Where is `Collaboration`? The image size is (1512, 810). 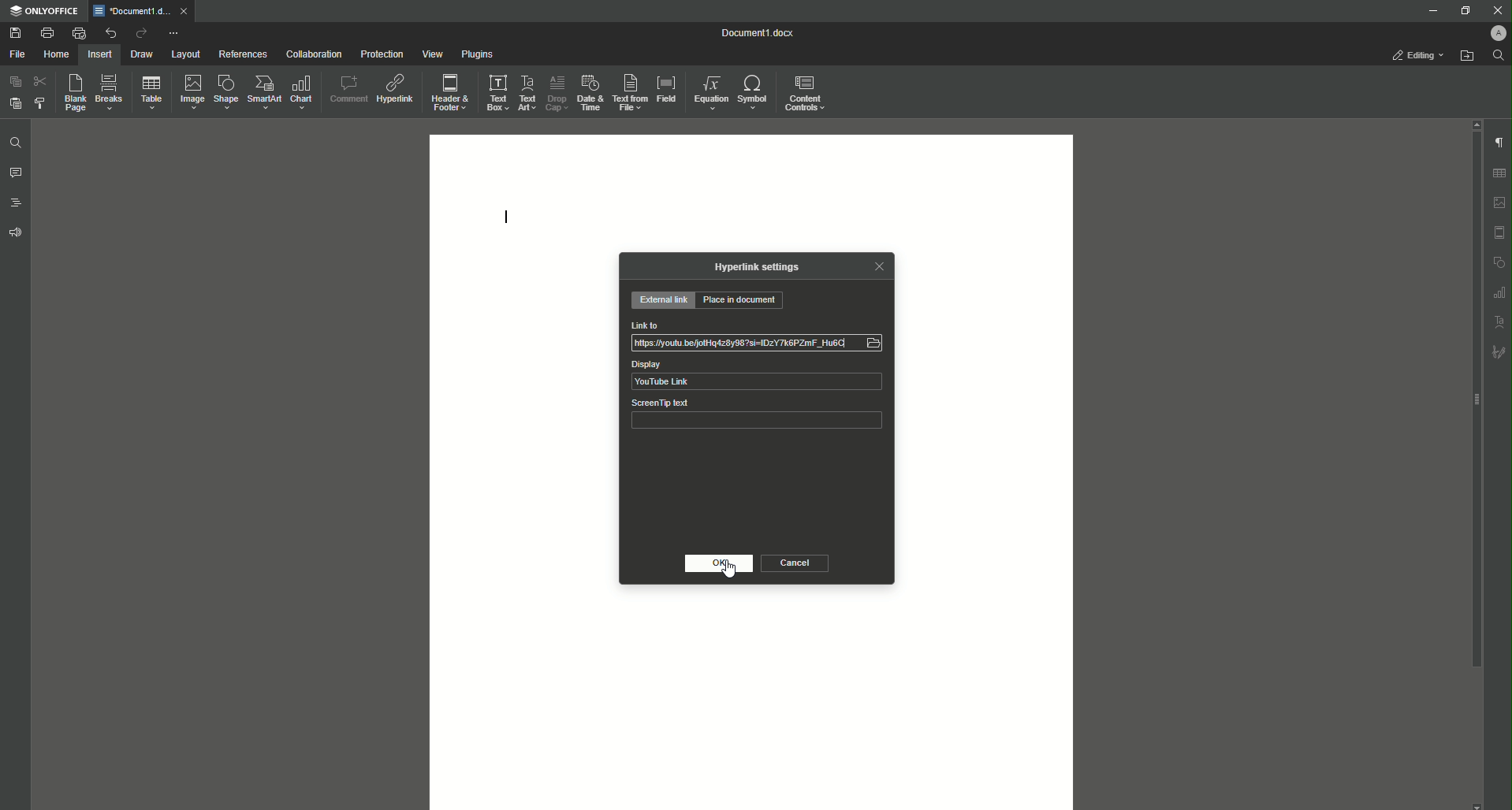
Collaboration is located at coordinates (314, 54).